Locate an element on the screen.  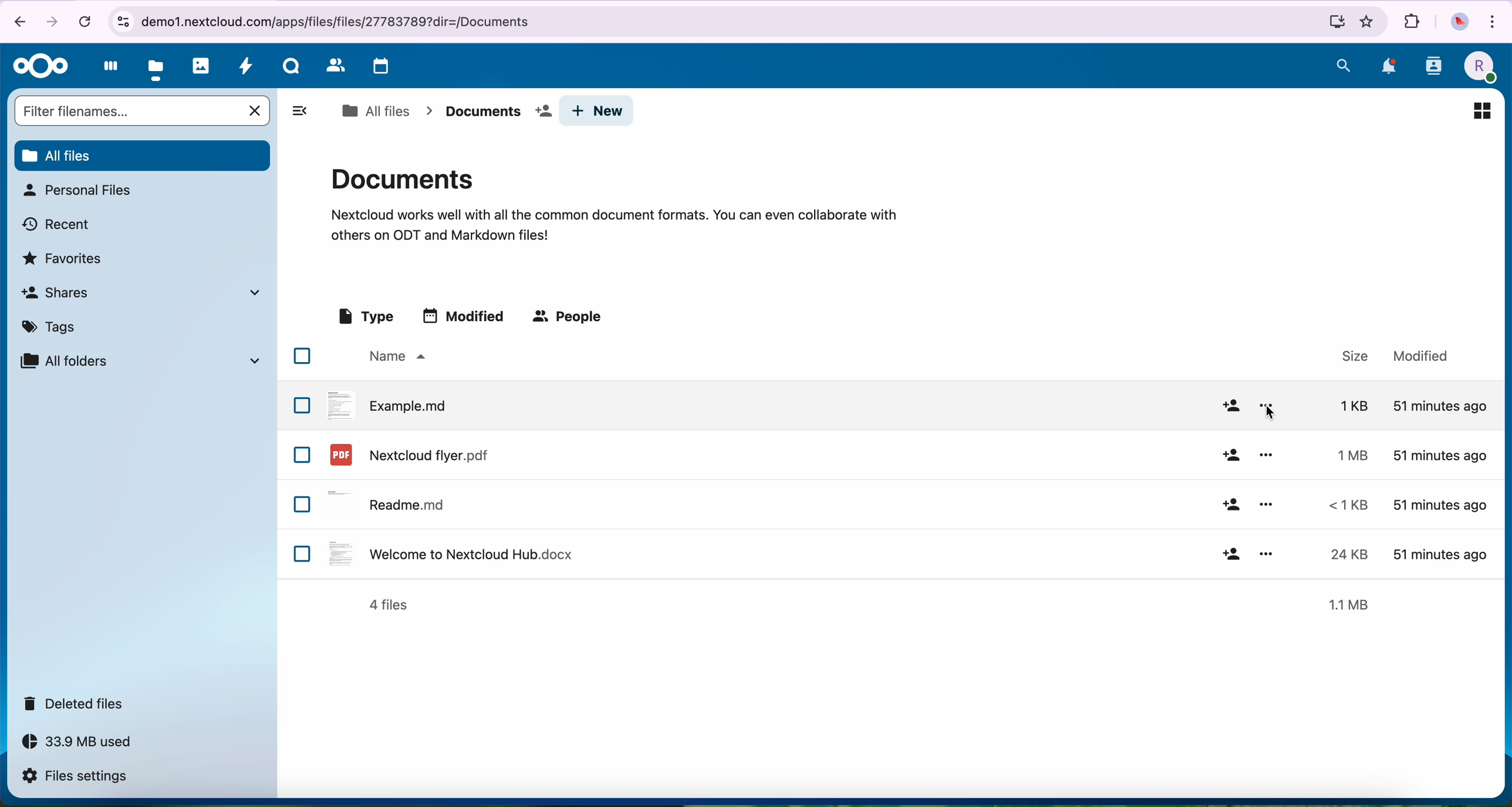
welcome to nextcloud hub.docx is located at coordinates (448, 553).